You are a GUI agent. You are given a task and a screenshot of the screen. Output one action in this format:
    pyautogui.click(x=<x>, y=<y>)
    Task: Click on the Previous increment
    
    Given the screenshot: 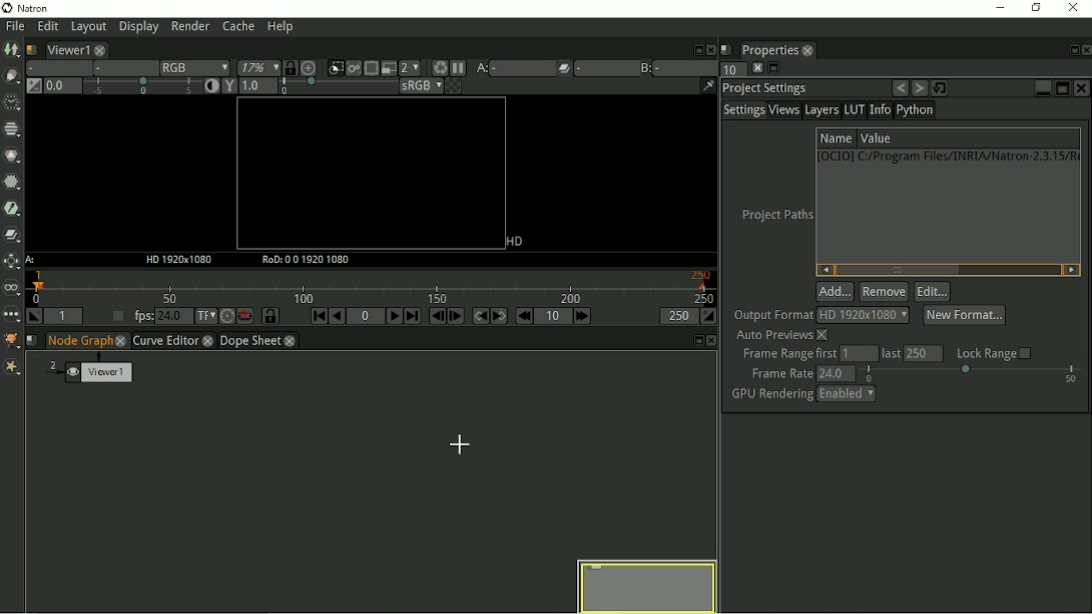 What is the action you would take?
    pyautogui.click(x=523, y=317)
    